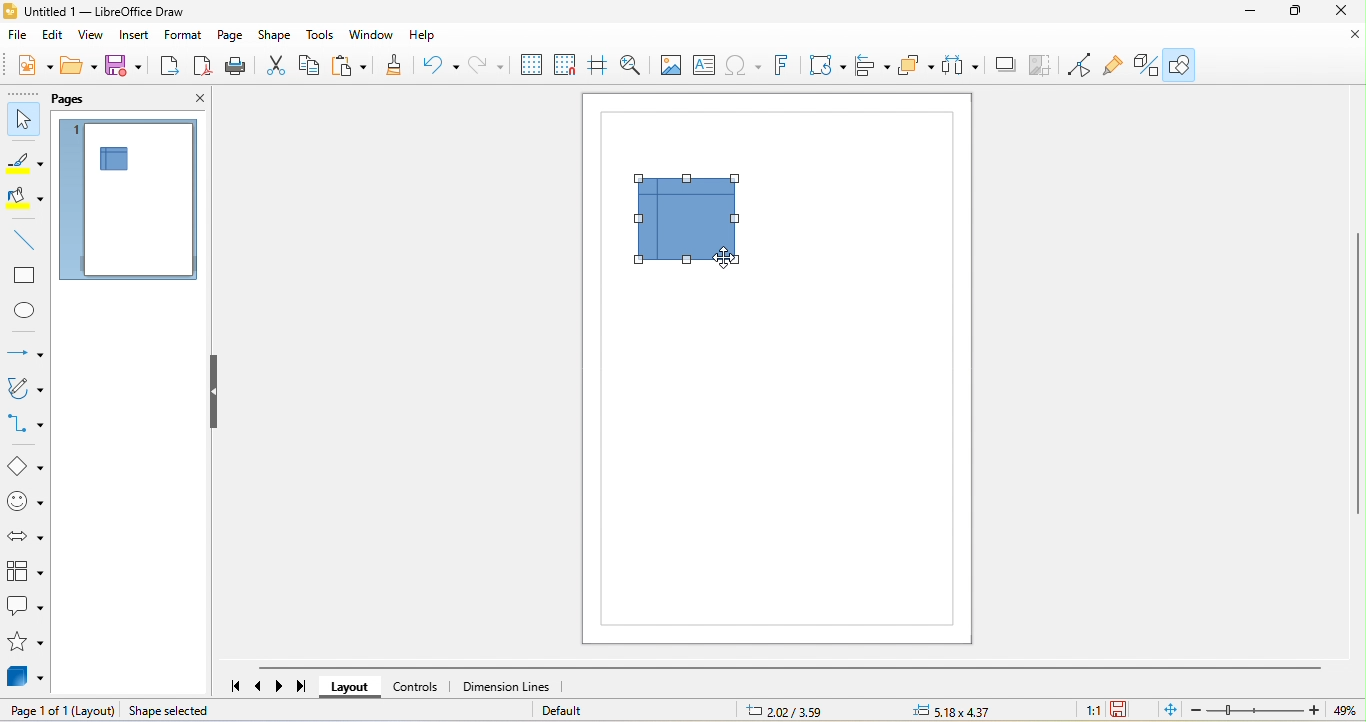 Image resolution: width=1366 pixels, height=722 pixels. What do you see at coordinates (1092, 712) in the screenshot?
I see `1:1` at bounding box center [1092, 712].